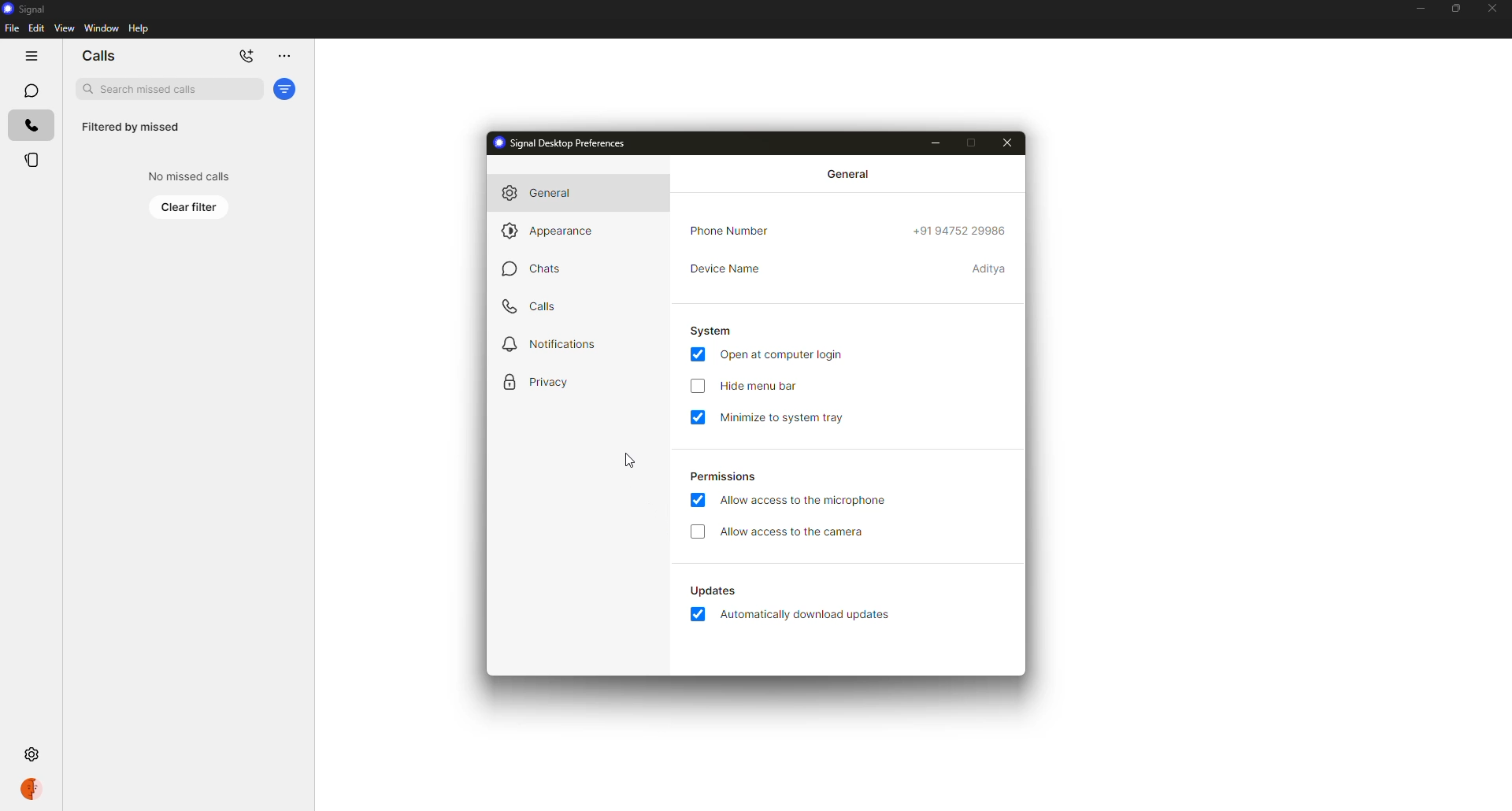 The image size is (1512, 811). What do you see at coordinates (724, 477) in the screenshot?
I see `permissions` at bounding box center [724, 477].